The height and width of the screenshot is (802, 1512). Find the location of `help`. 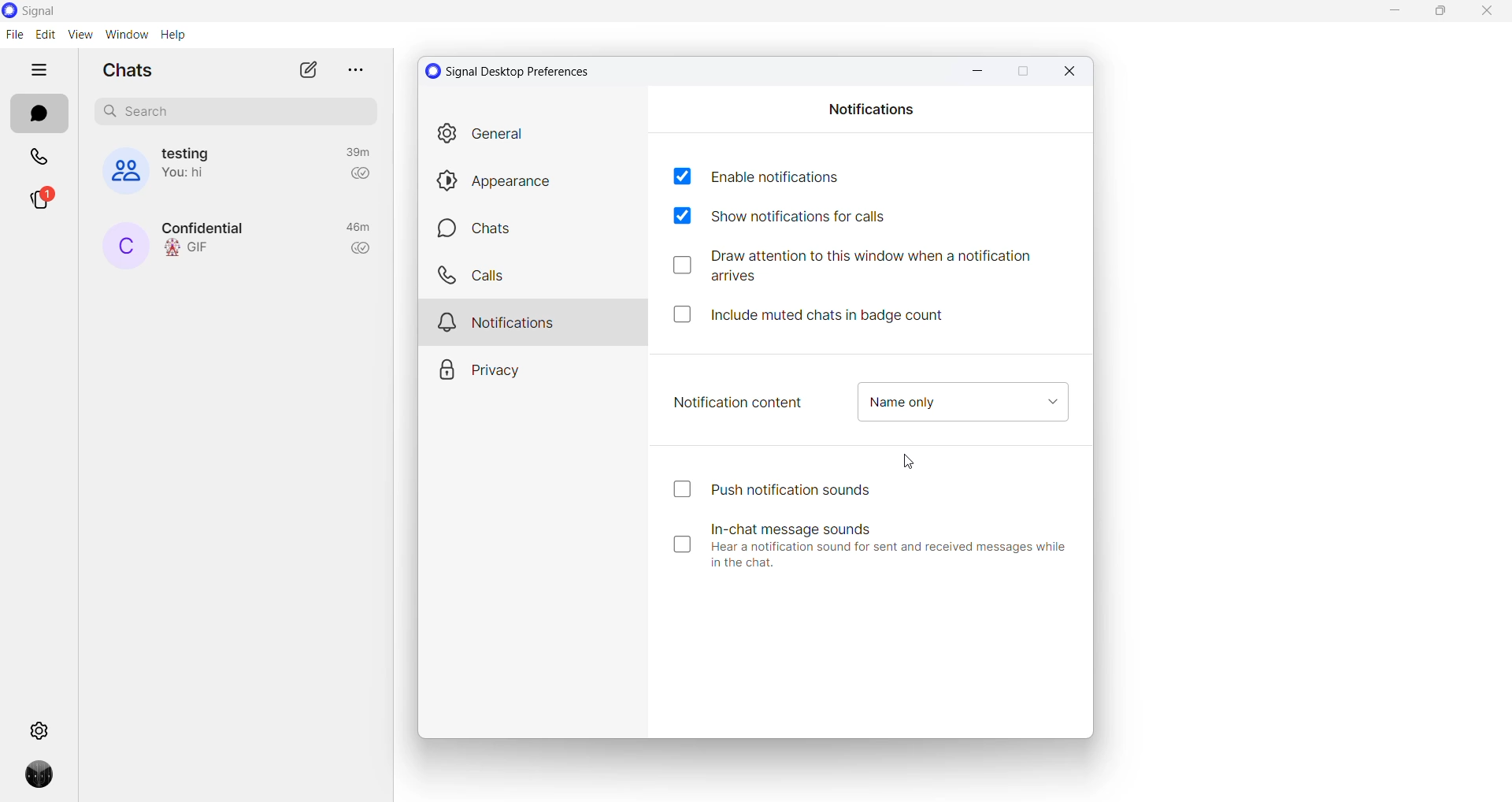

help is located at coordinates (172, 35).